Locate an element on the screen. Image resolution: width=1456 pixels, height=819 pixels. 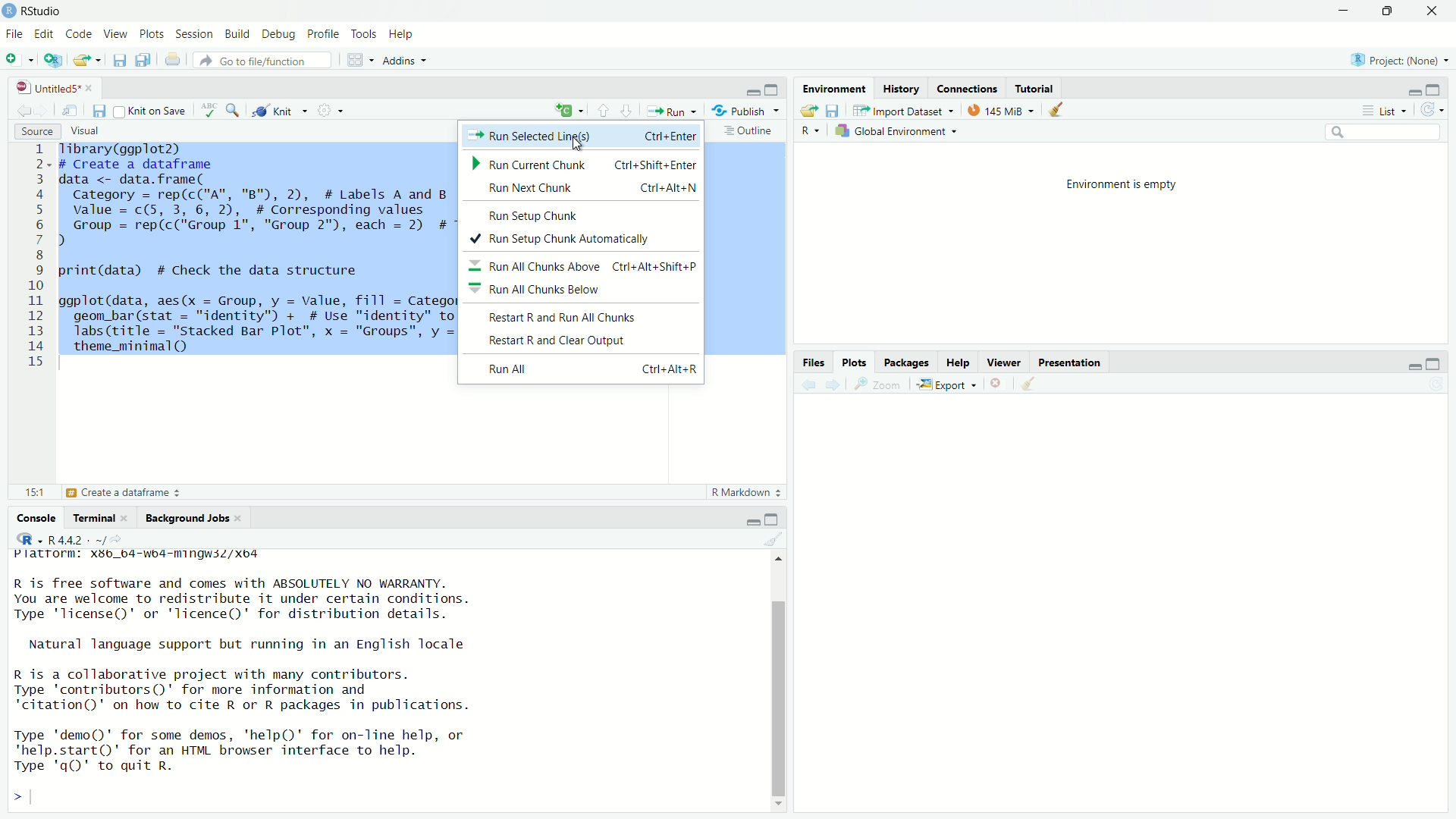
Zoom is located at coordinates (880, 384).